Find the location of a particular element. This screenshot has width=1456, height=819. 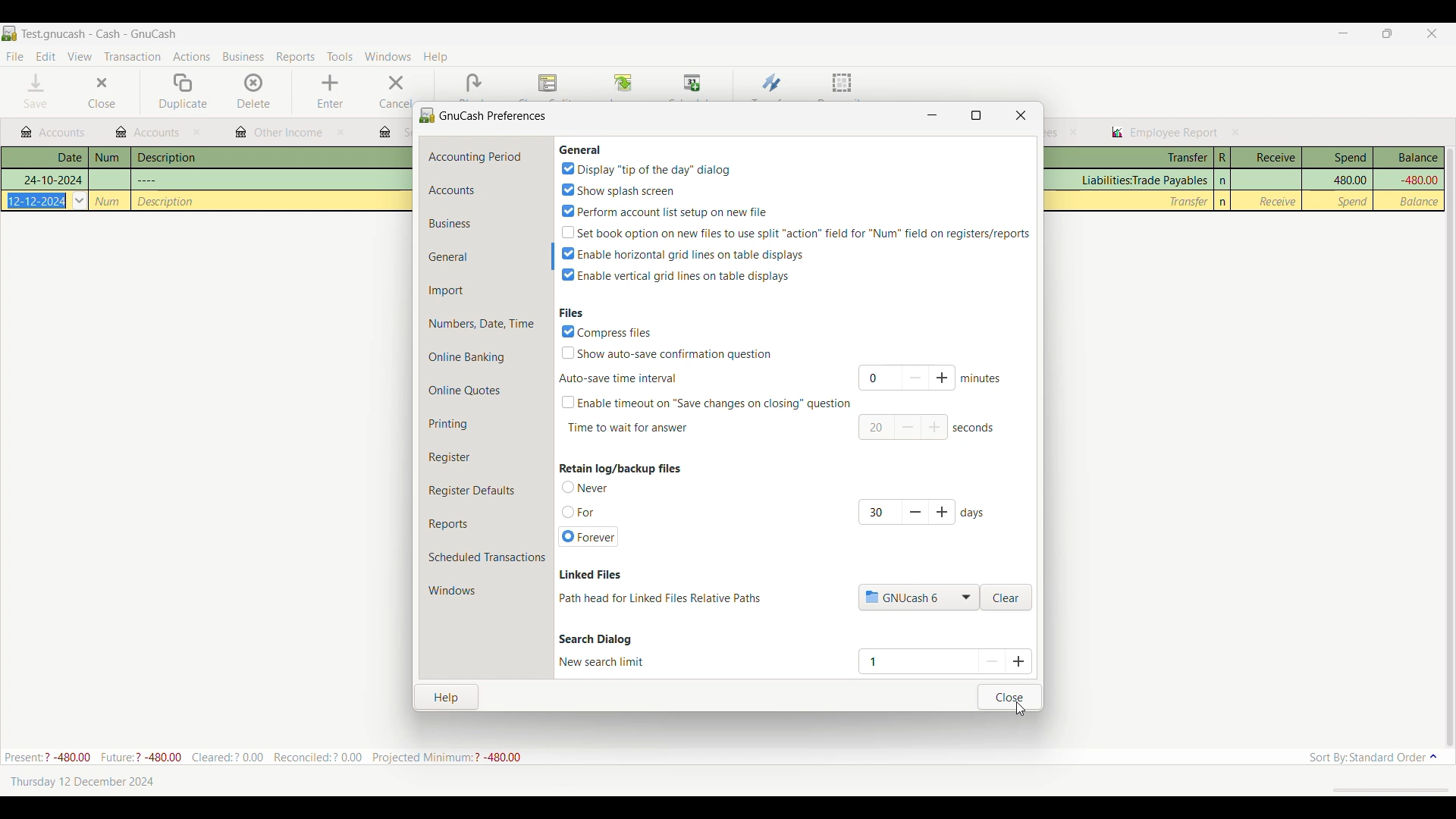

Show splits is located at coordinates (548, 84).